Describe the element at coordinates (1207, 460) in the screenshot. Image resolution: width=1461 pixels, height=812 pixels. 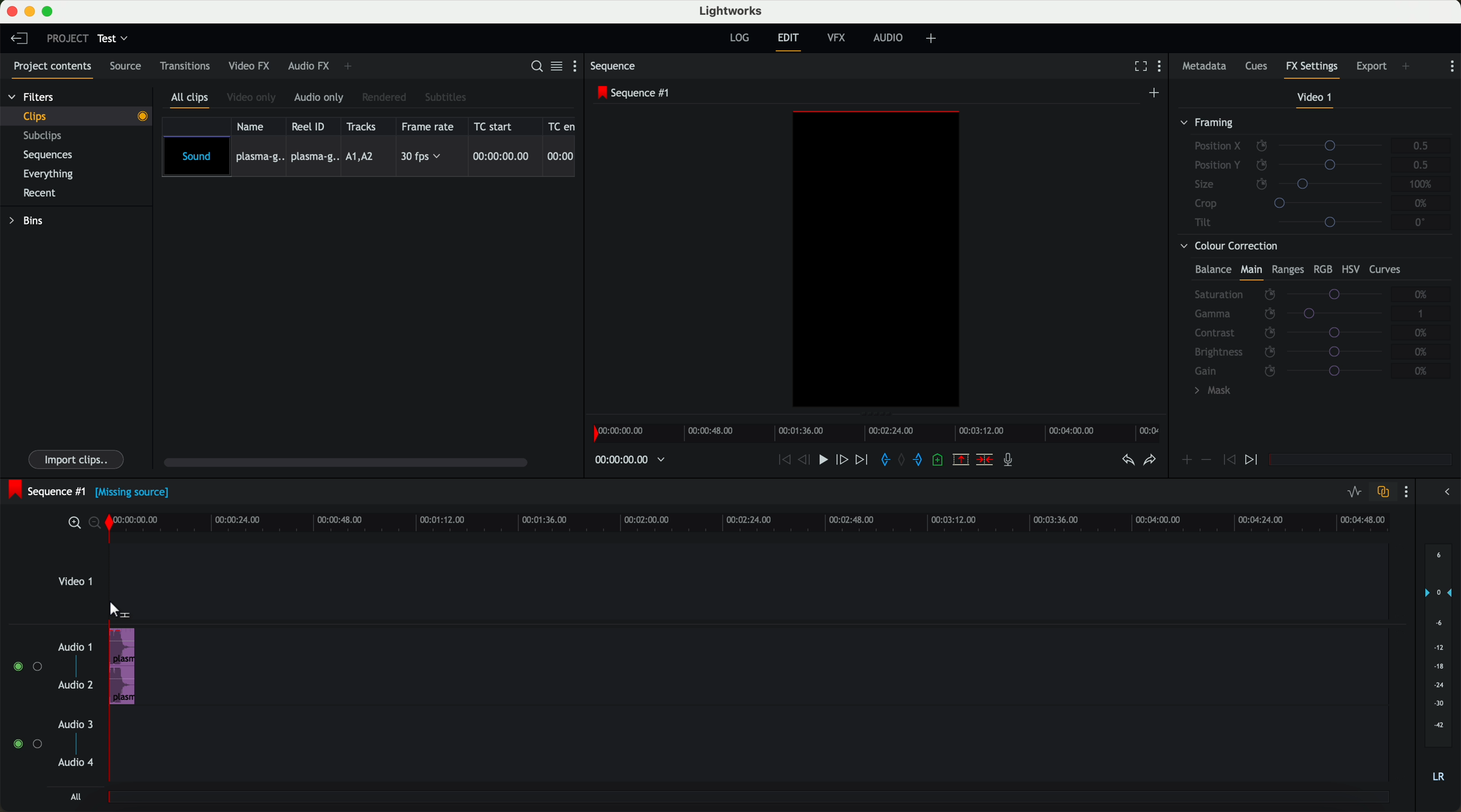
I see `remove keyframe` at that location.